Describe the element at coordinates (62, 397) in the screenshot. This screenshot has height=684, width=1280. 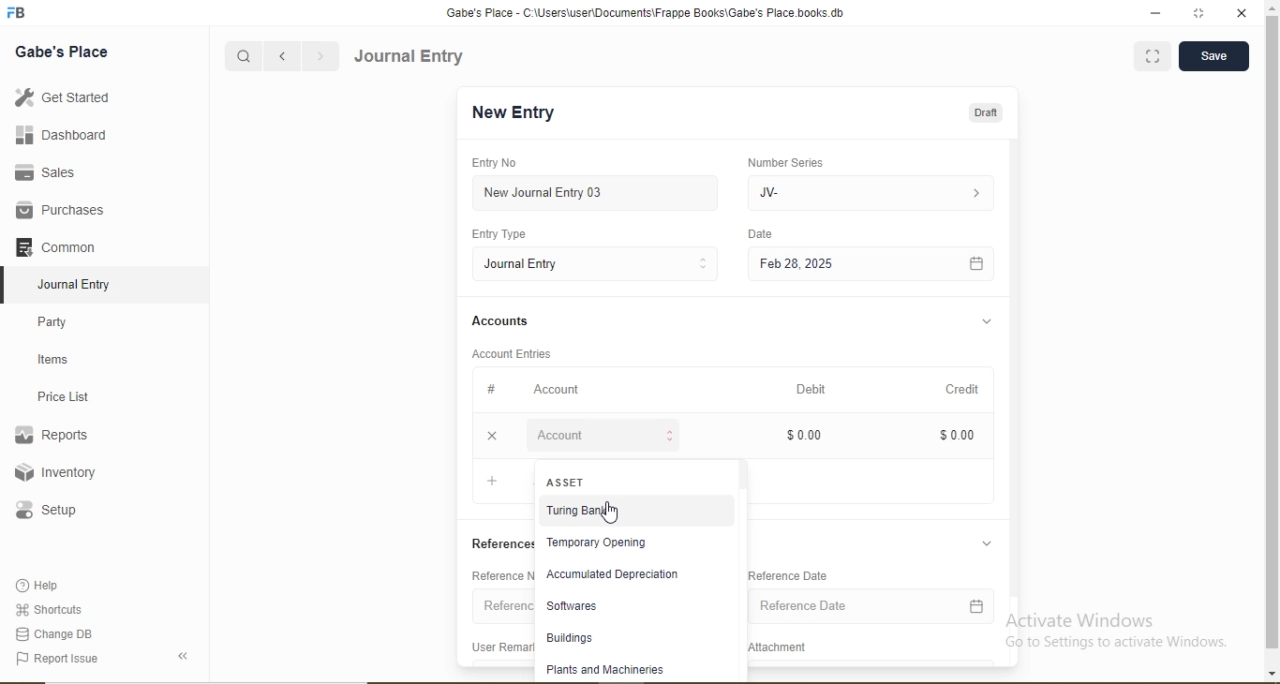
I see `Price List` at that location.